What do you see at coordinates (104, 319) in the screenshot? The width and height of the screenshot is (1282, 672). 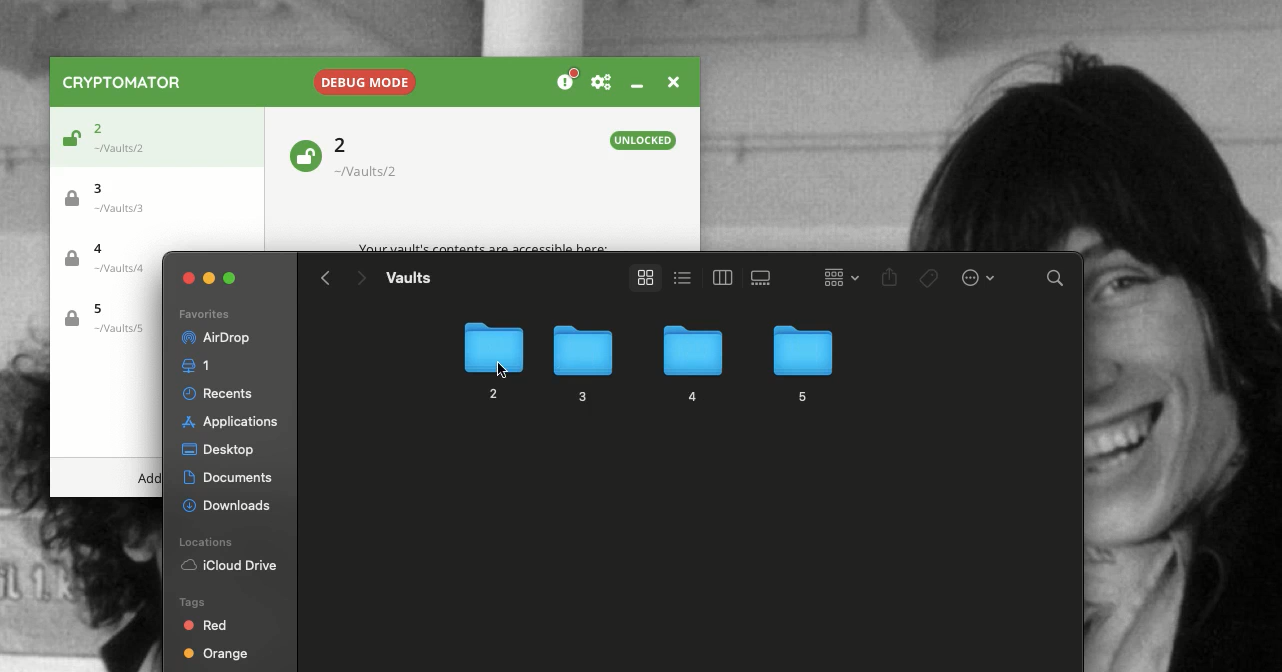 I see `Vault 5` at bounding box center [104, 319].